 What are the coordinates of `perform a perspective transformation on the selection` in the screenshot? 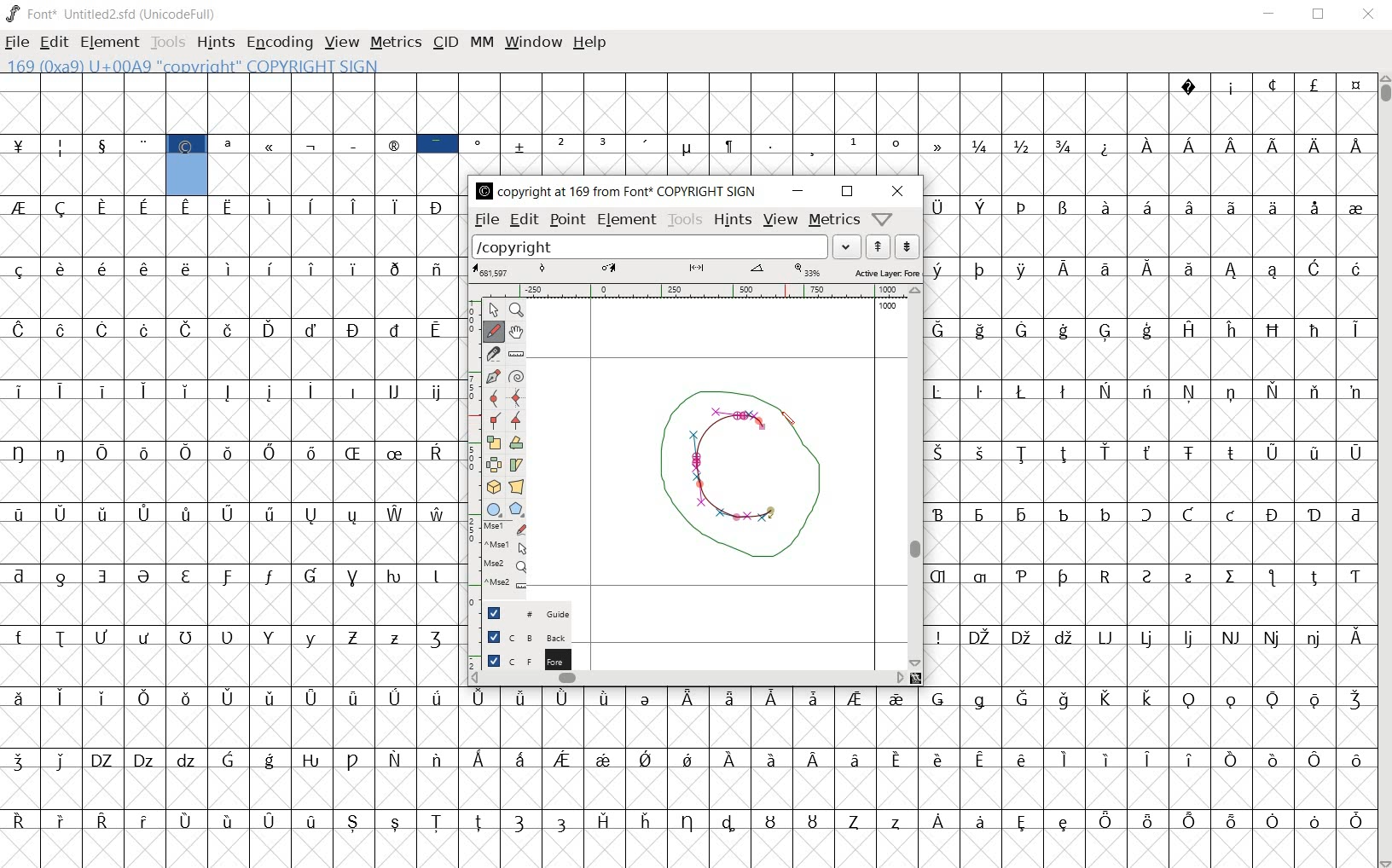 It's located at (517, 488).